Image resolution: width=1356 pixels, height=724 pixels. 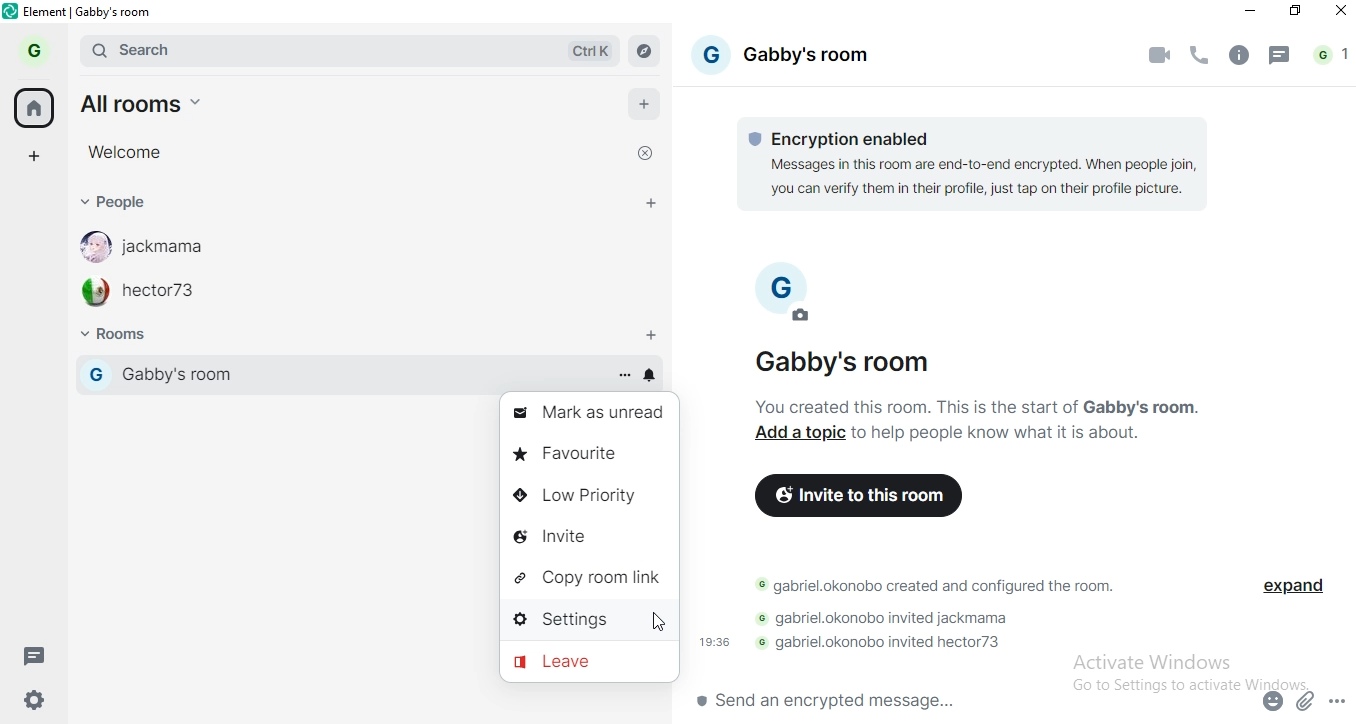 I want to click on element logo, so click(x=13, y=13).